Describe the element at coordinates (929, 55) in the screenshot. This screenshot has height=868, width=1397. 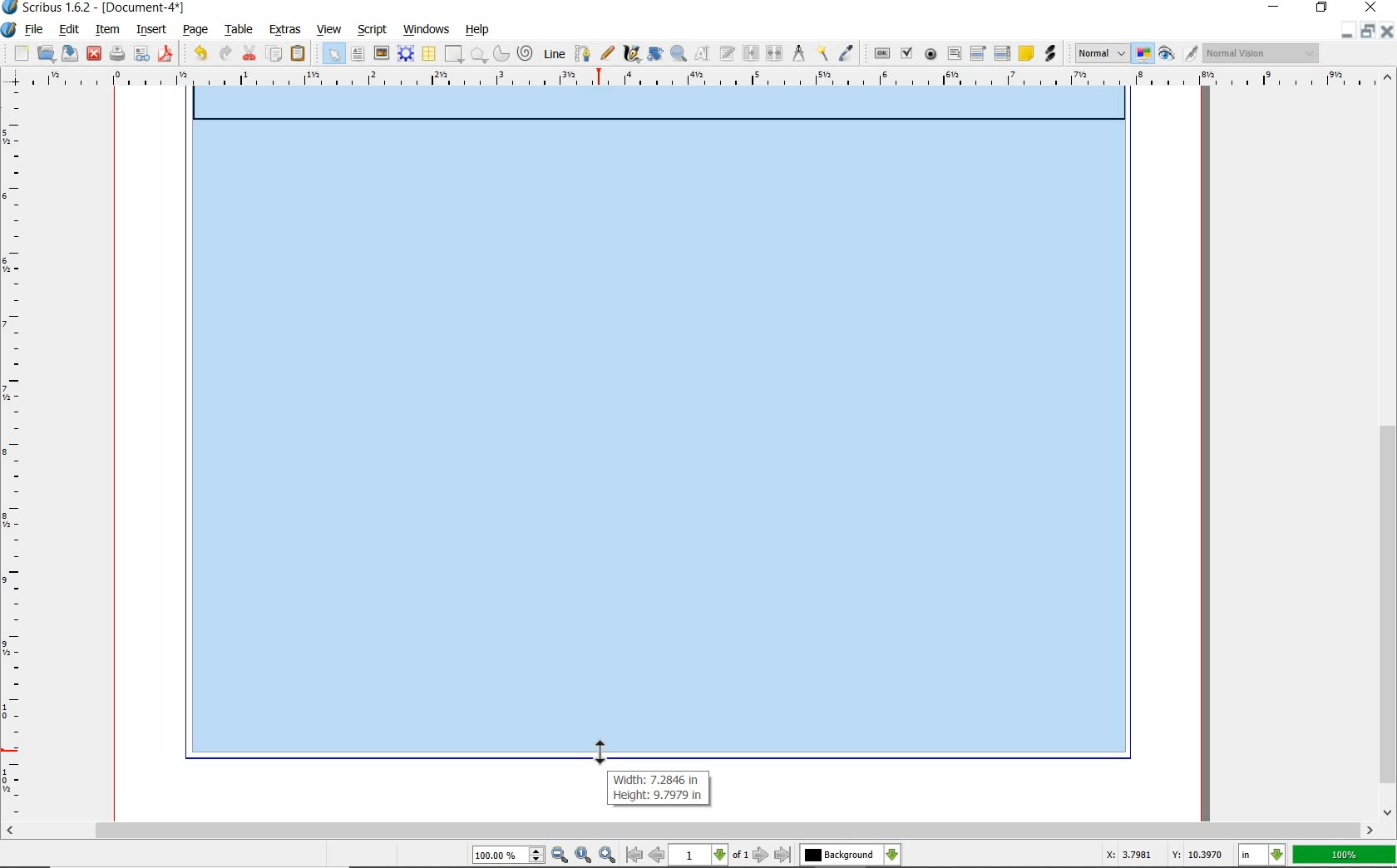
I see `pdf radio button` at that location.